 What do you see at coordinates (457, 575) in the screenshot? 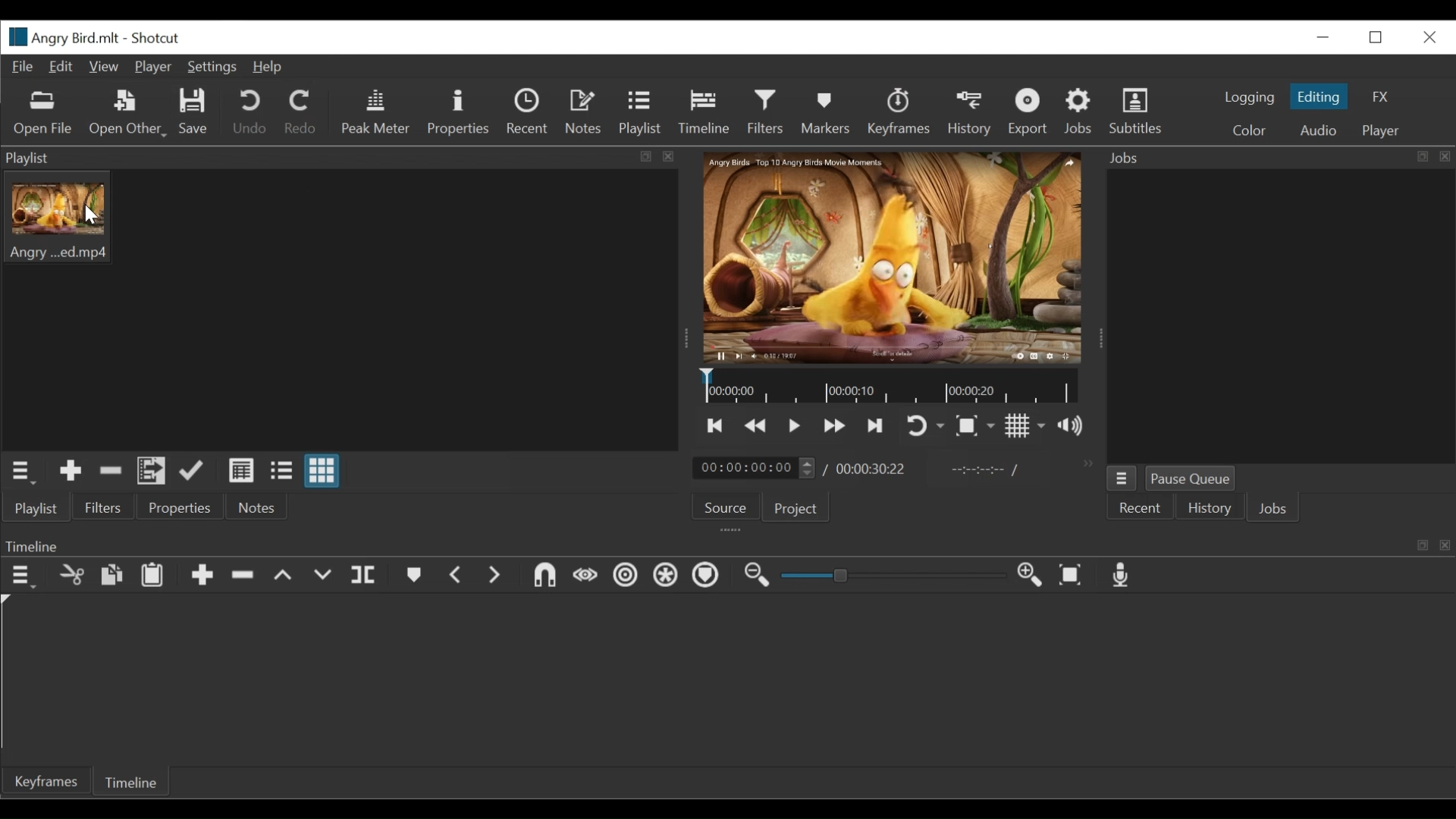
I see `previous marker` at bounding box center [457, 575].